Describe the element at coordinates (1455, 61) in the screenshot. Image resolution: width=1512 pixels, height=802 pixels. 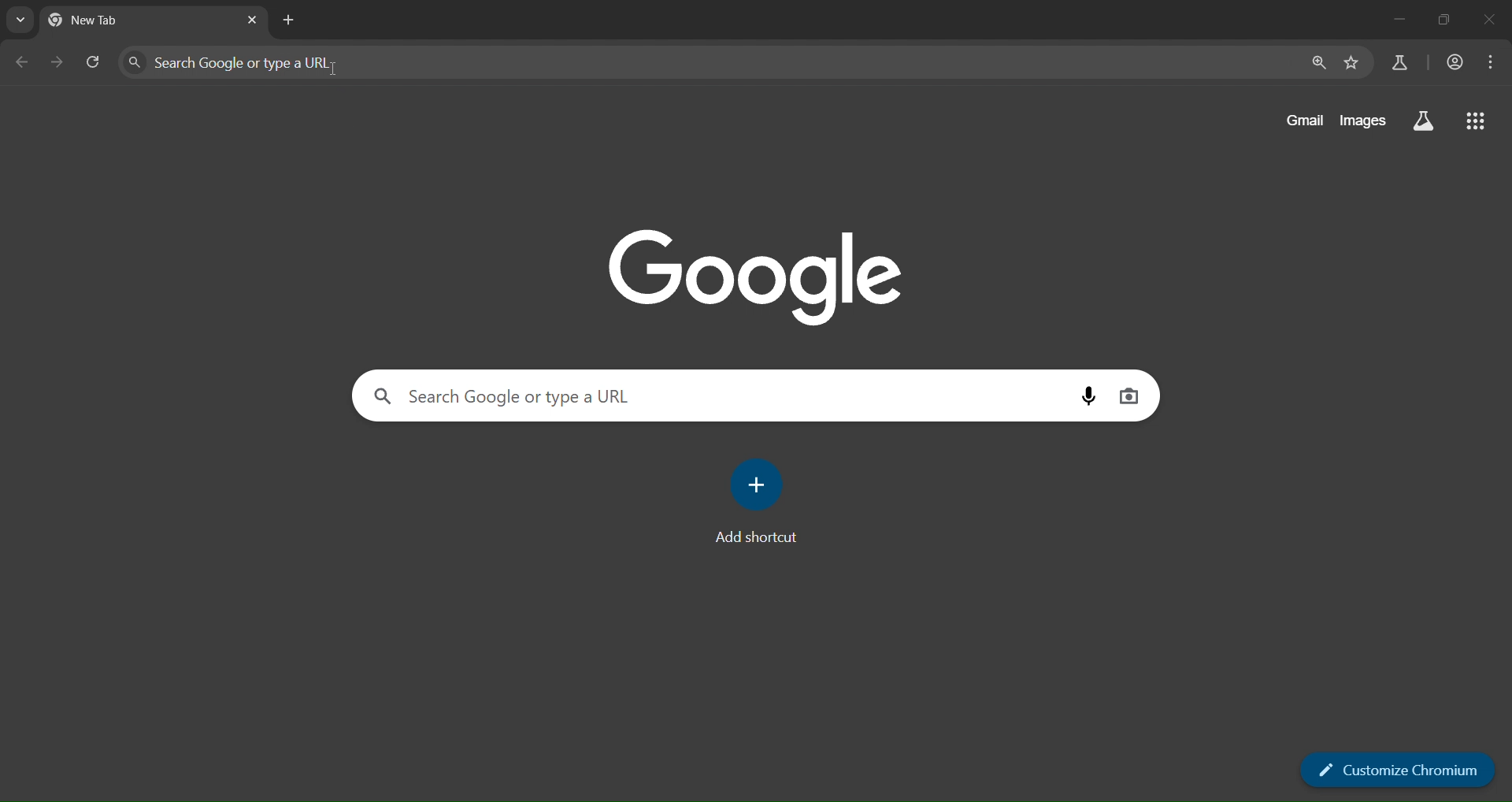
I see `accounts` at that location.